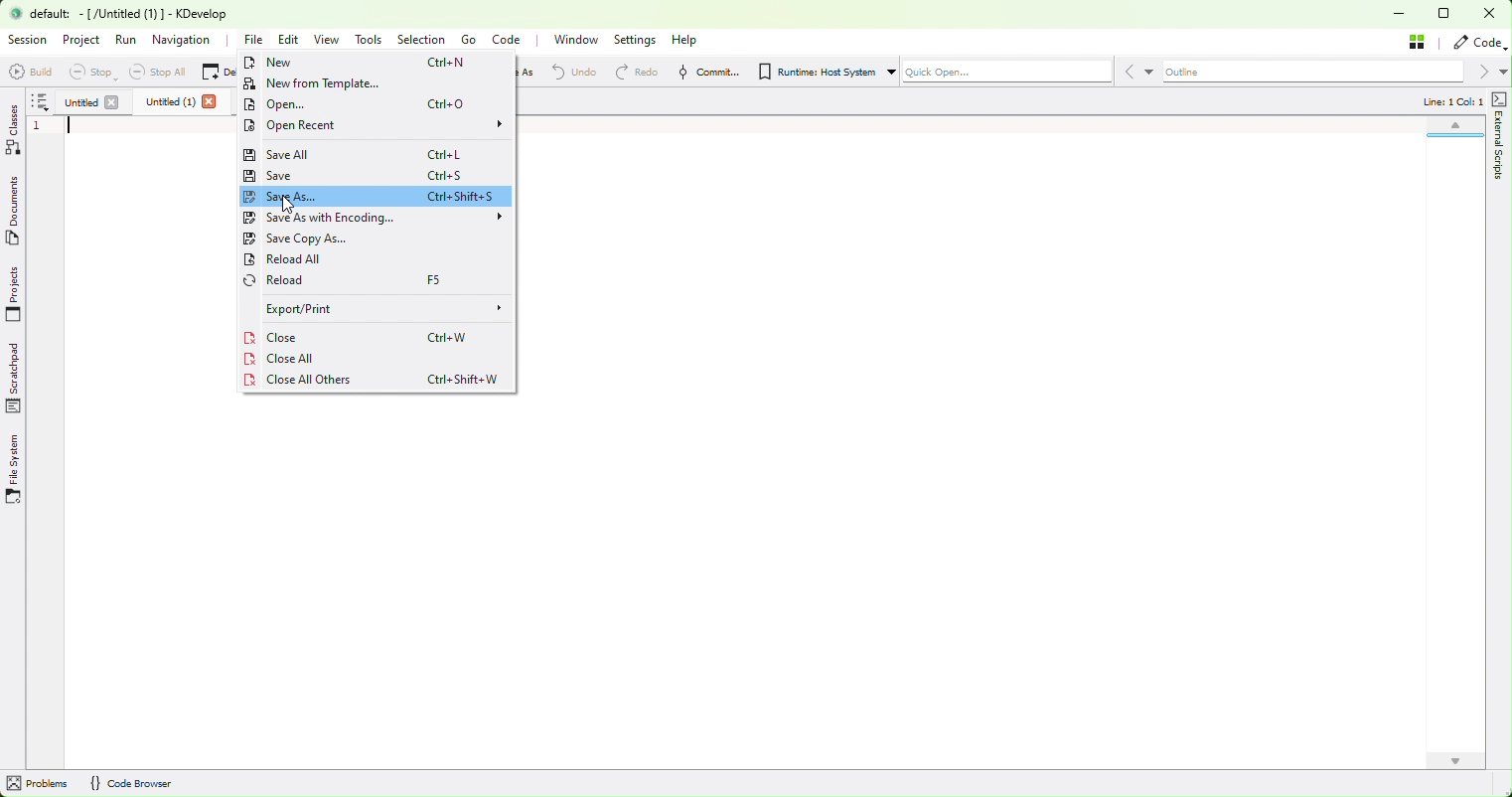 This screenshot has height=797, width=1512. Describe the element at coordinates (286, 359) in the screenshot. I see `Close All` at that location.